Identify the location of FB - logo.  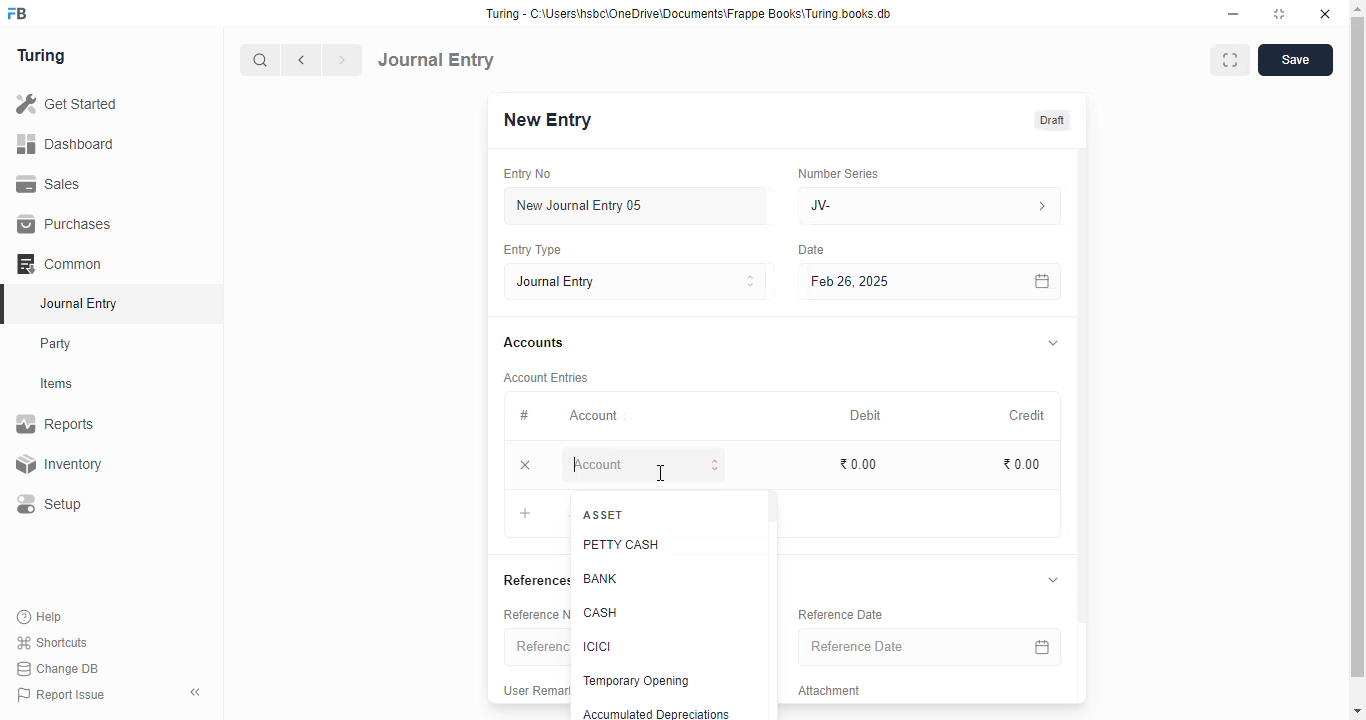
(17, 13).